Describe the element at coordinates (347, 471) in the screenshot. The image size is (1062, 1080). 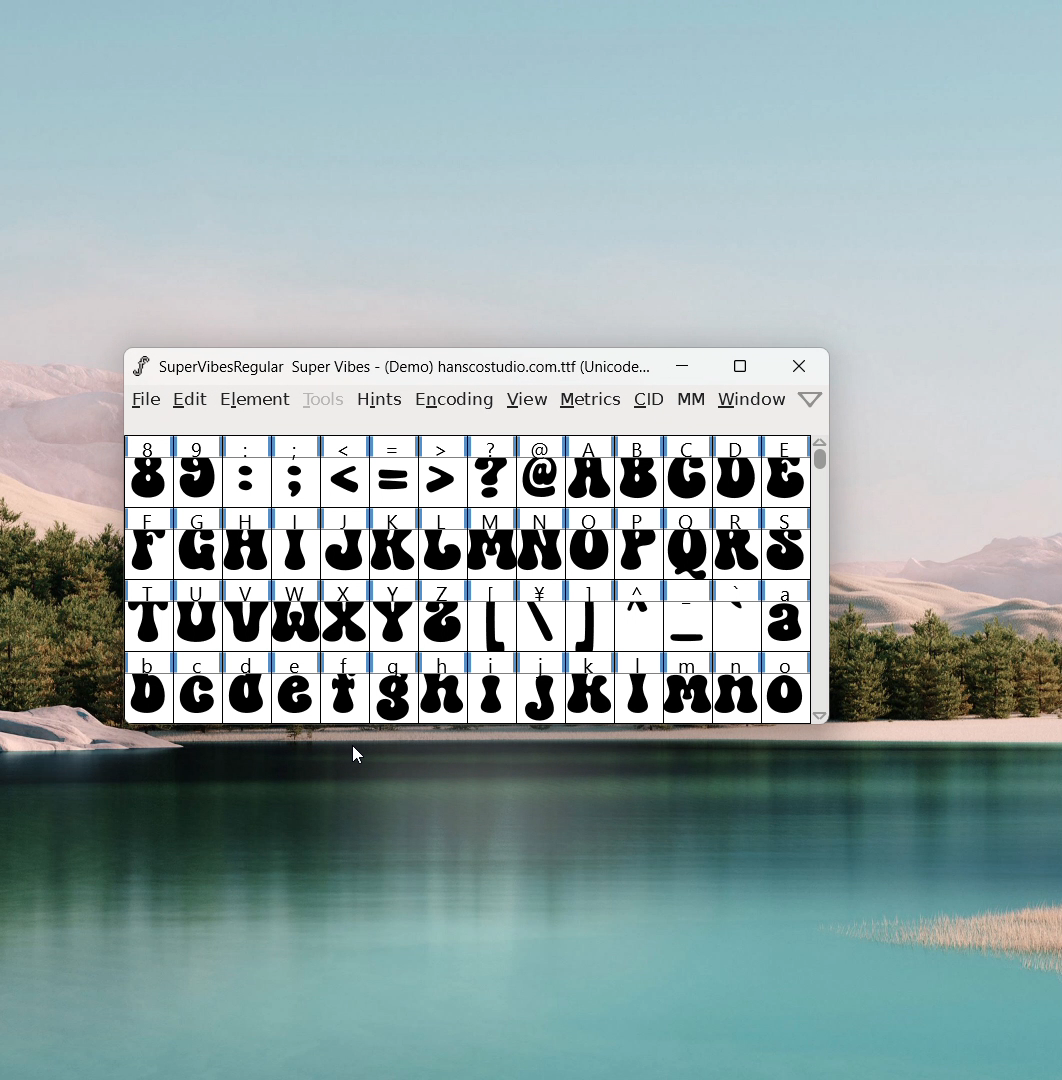
I see `<` at that location.